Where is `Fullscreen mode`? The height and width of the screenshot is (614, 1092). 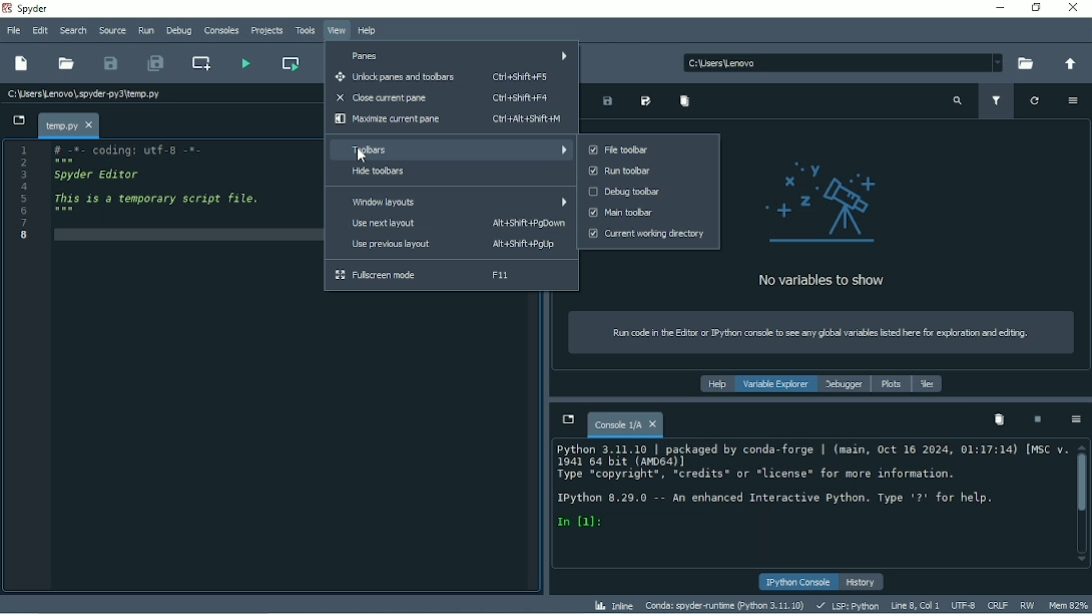 Fullscreen mode is located at coordinates (450, 275).